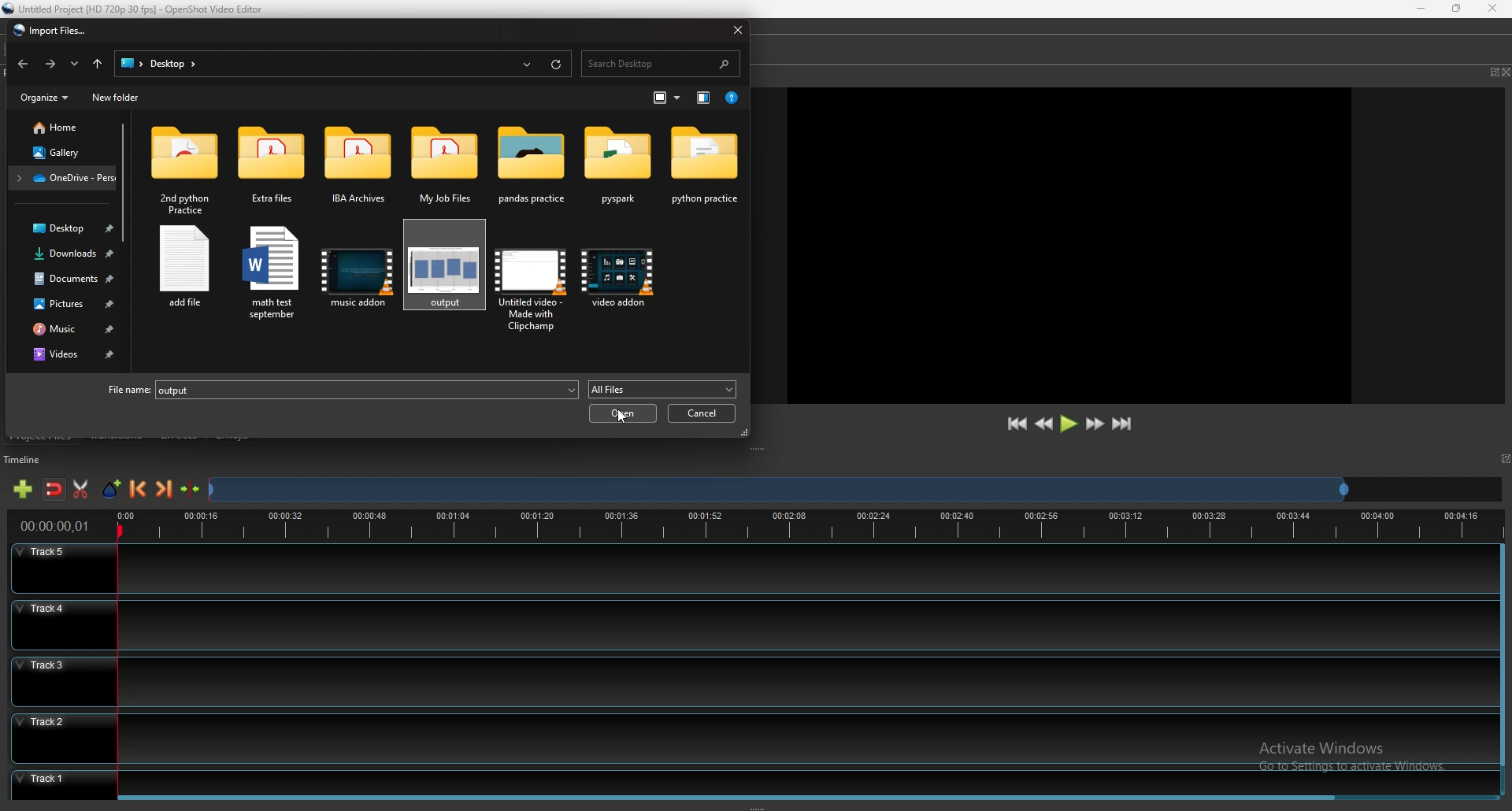 The width and height of the screenshot is (1512, 811). Describe the element at coordinates (1069, 423) in the screenshot. I see `play` at that location.